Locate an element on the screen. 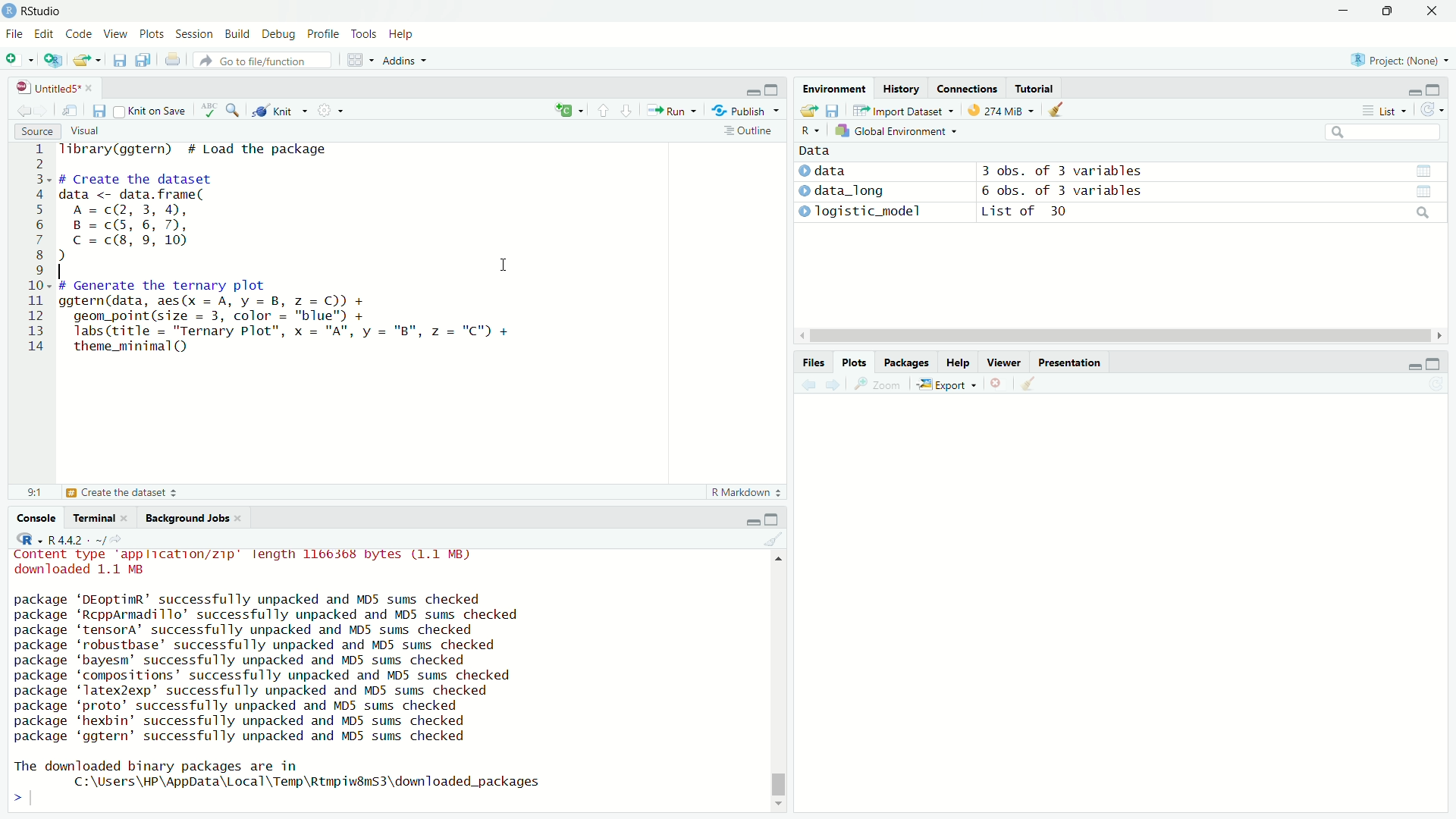  | Export is located at coordinates (943, 385).